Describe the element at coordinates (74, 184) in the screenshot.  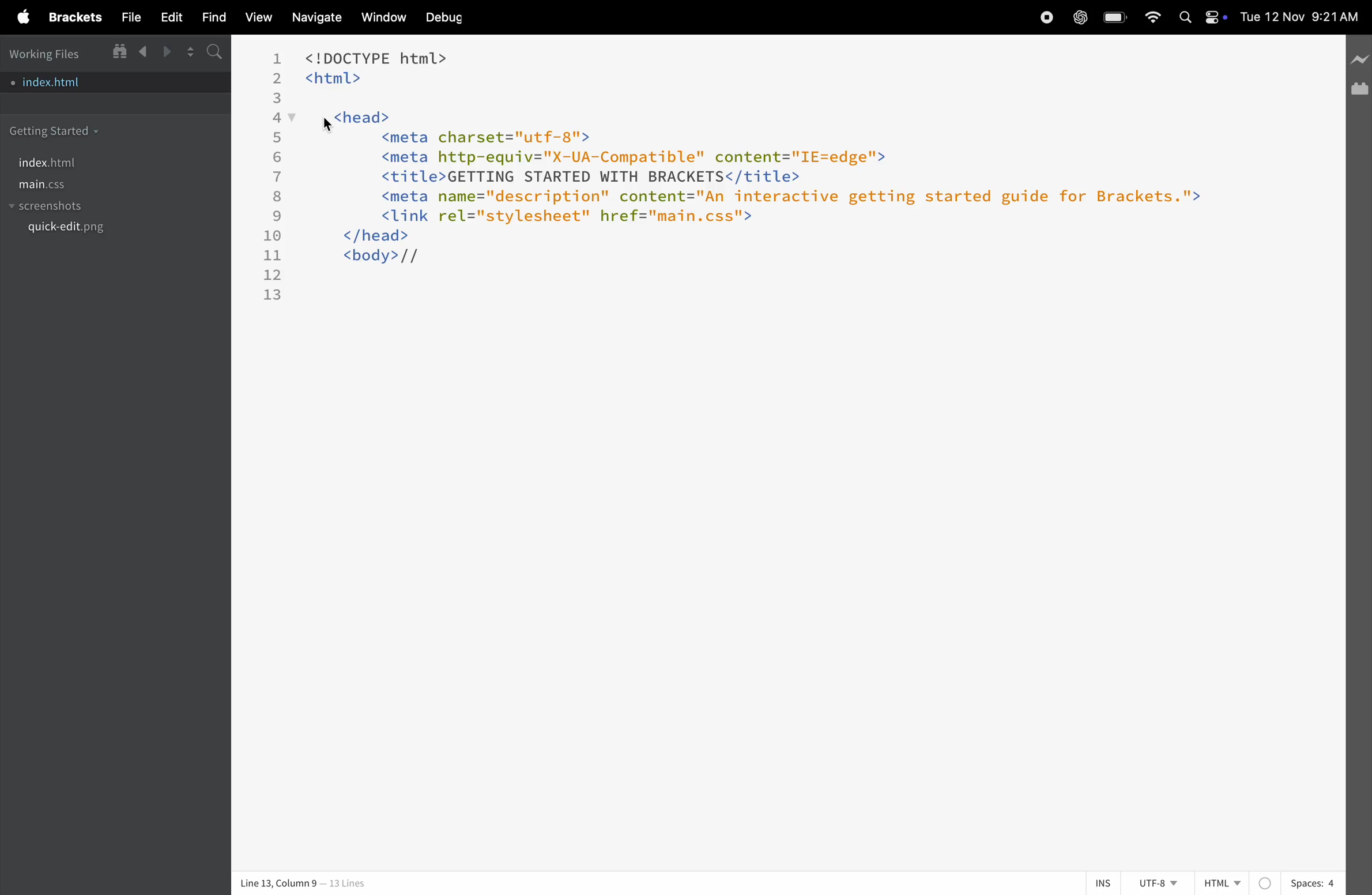
I see `main.css` at that location.